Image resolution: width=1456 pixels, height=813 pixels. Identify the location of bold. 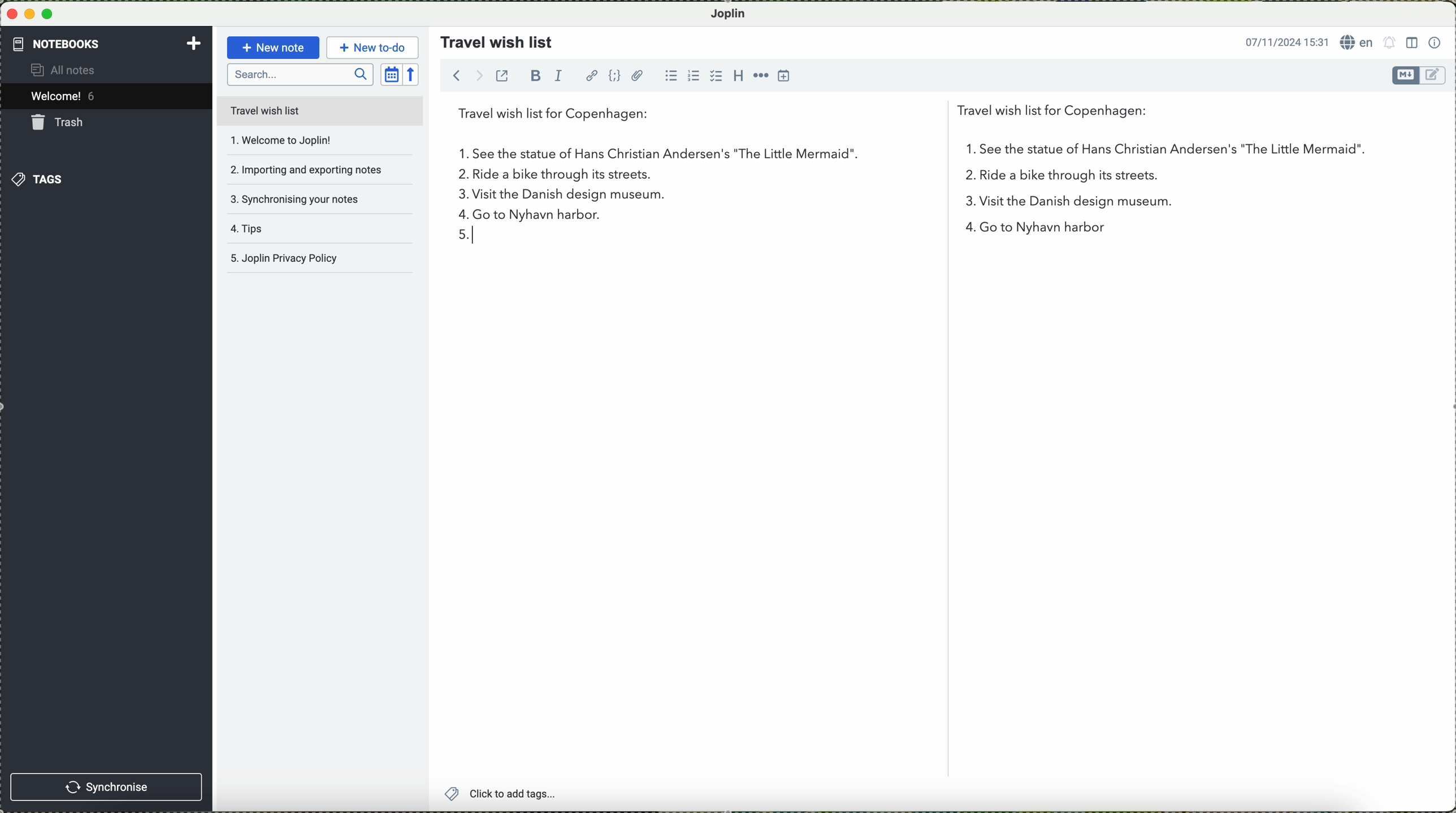
(536, 75).